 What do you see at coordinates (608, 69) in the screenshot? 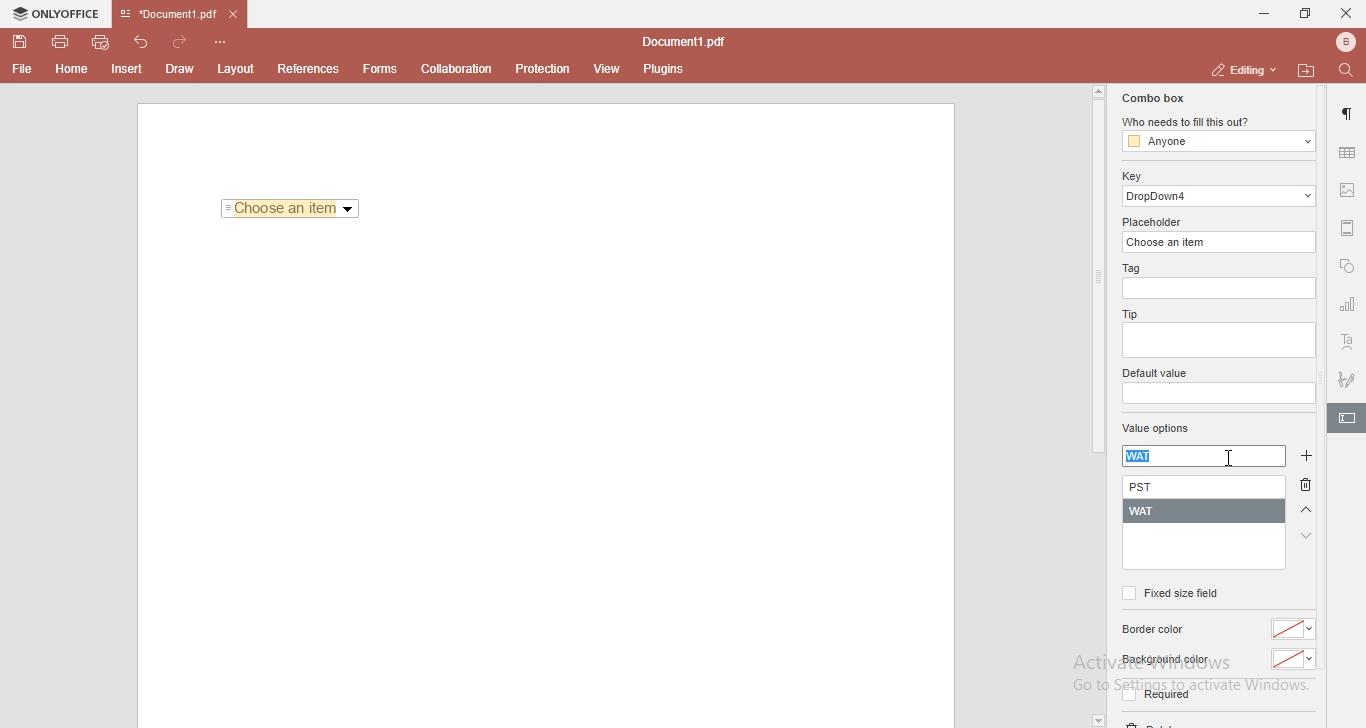
I see `view` at bounding box center [608, 69].